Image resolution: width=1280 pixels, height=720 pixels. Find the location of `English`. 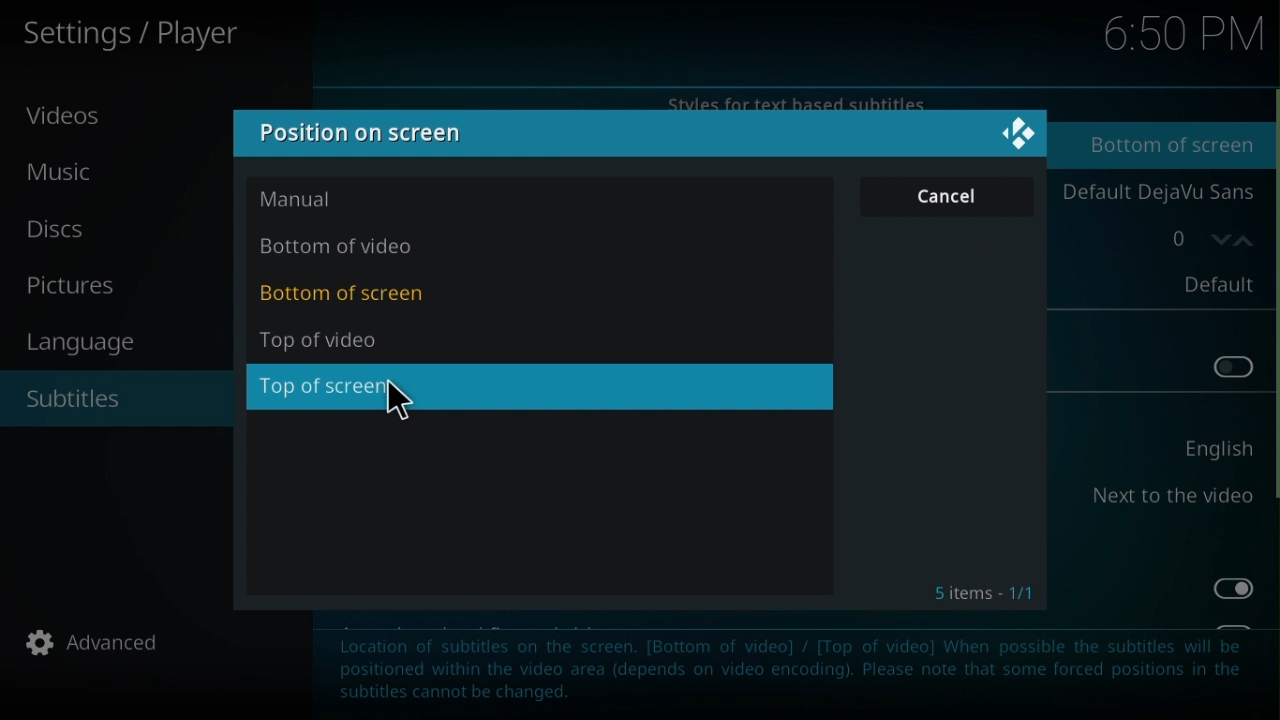

English is located at coordinates (1208, 450).